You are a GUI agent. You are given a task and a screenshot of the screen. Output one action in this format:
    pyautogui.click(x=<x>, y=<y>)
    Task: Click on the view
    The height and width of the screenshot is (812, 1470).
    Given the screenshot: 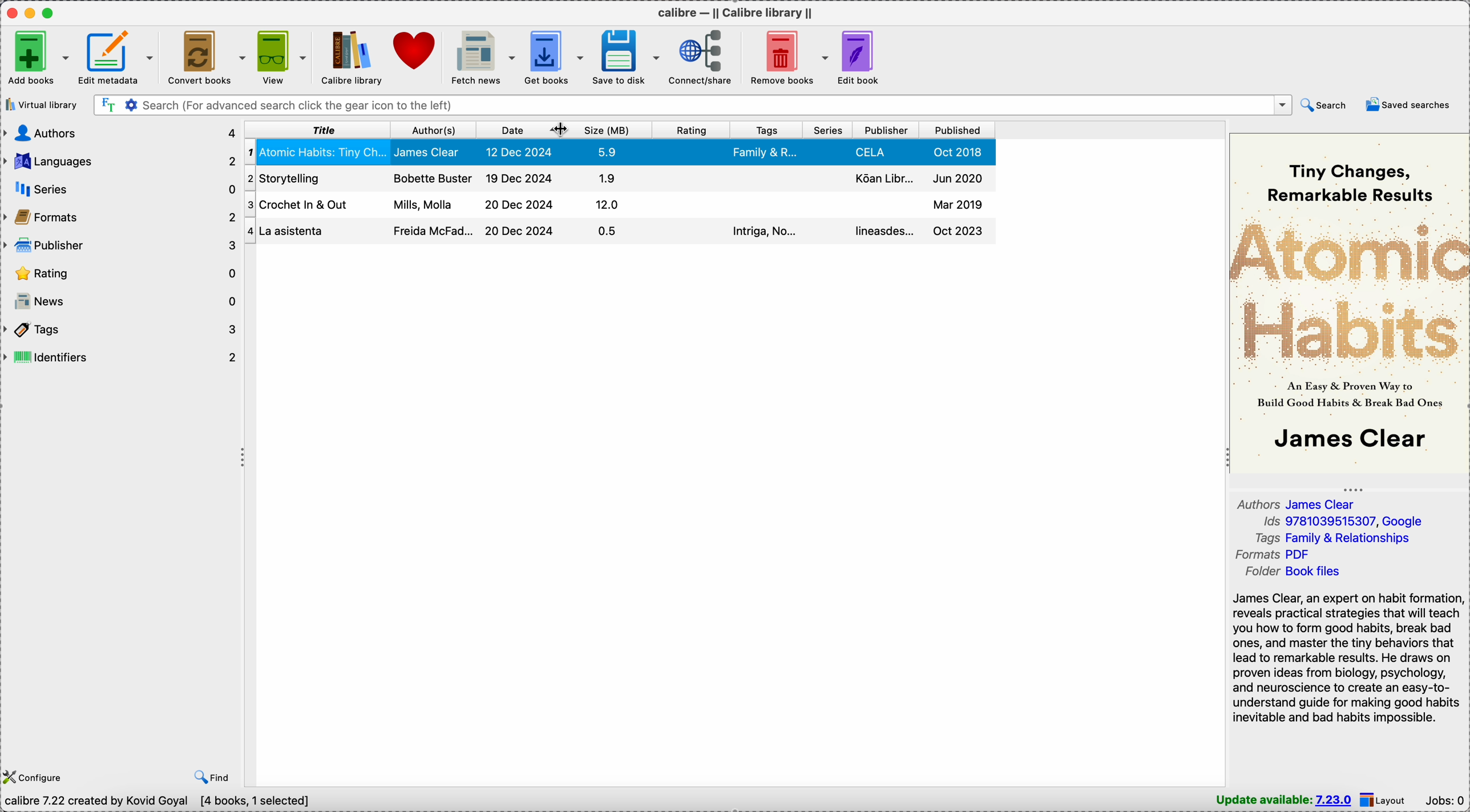 What is the action you would take?
    pyautogui.click(x=283, y=58)
    